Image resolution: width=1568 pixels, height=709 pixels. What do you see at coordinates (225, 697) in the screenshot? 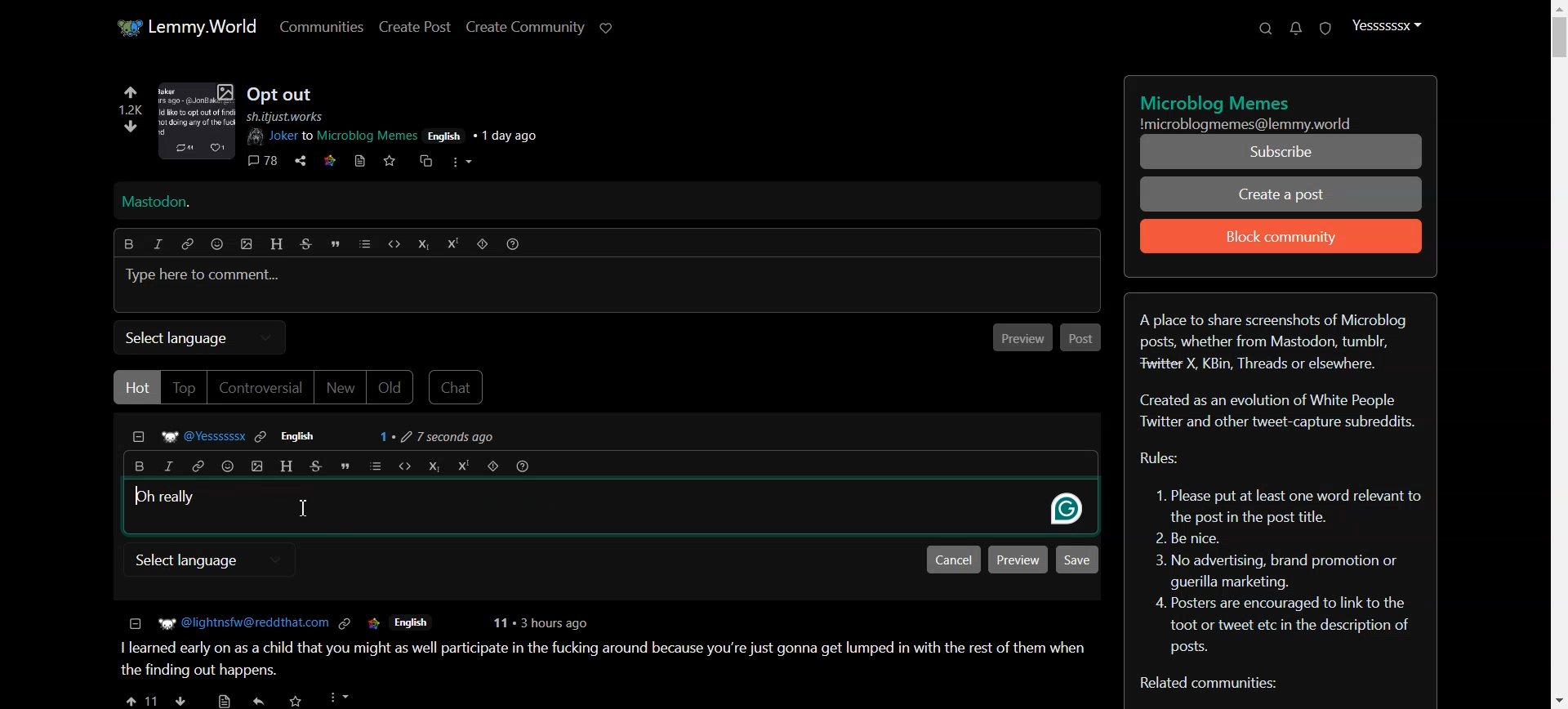
I see `save` at bounding box center [225, 697].